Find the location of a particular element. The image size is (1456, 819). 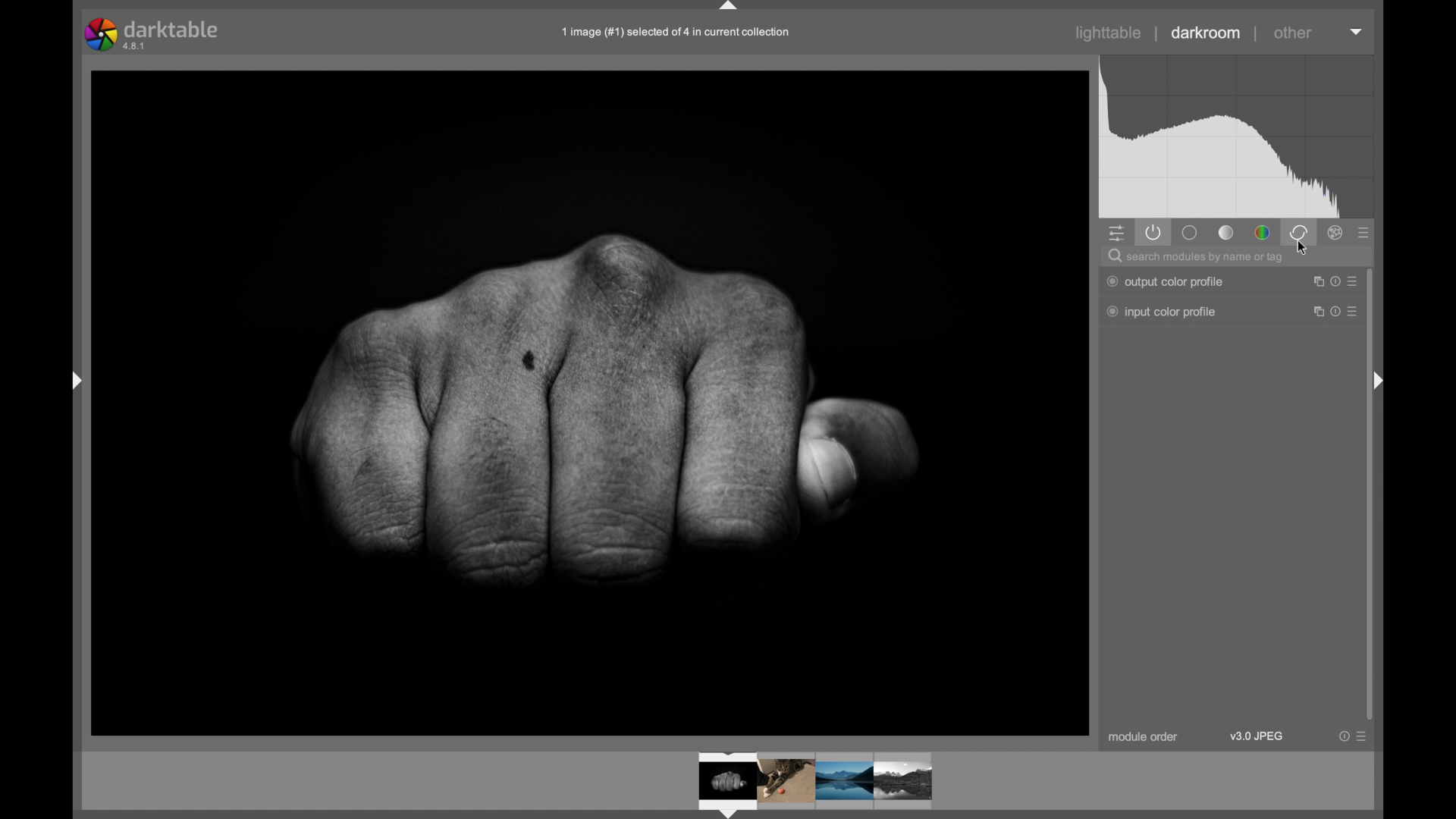

input order profile is located at coordinates (1164, 312).